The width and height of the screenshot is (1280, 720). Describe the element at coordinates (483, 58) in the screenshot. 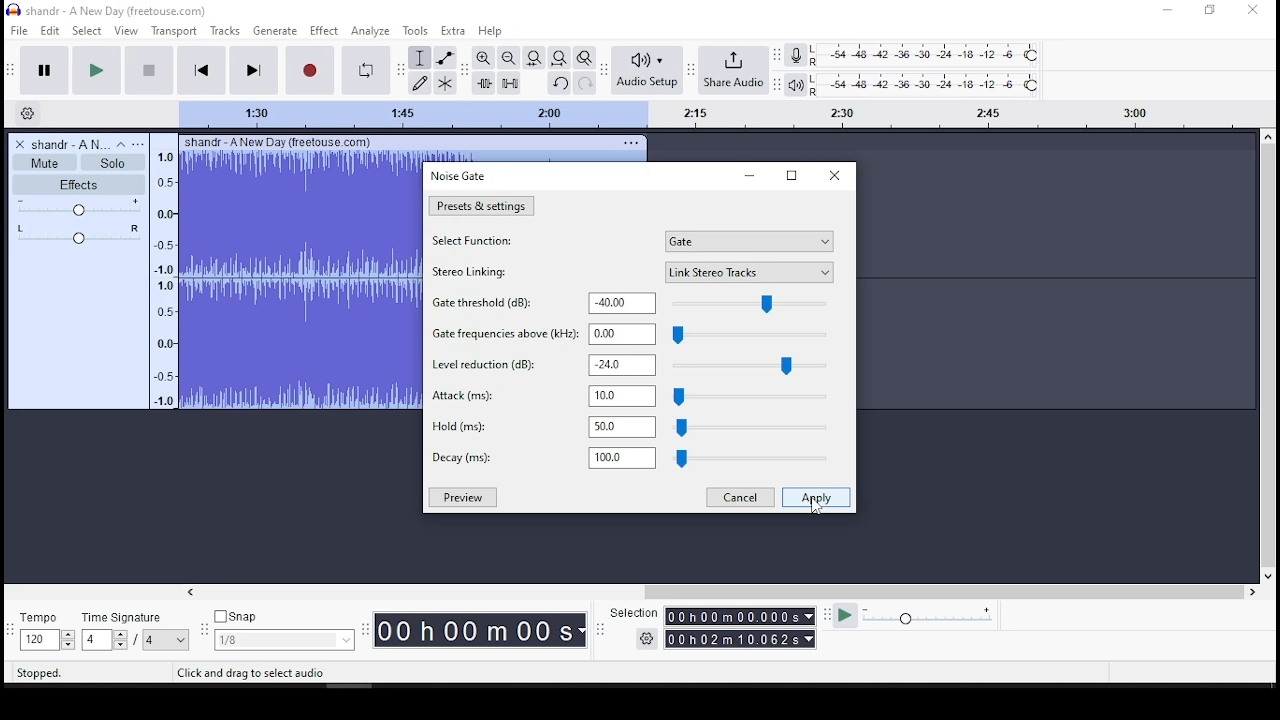

I see `zoom in` at that location.